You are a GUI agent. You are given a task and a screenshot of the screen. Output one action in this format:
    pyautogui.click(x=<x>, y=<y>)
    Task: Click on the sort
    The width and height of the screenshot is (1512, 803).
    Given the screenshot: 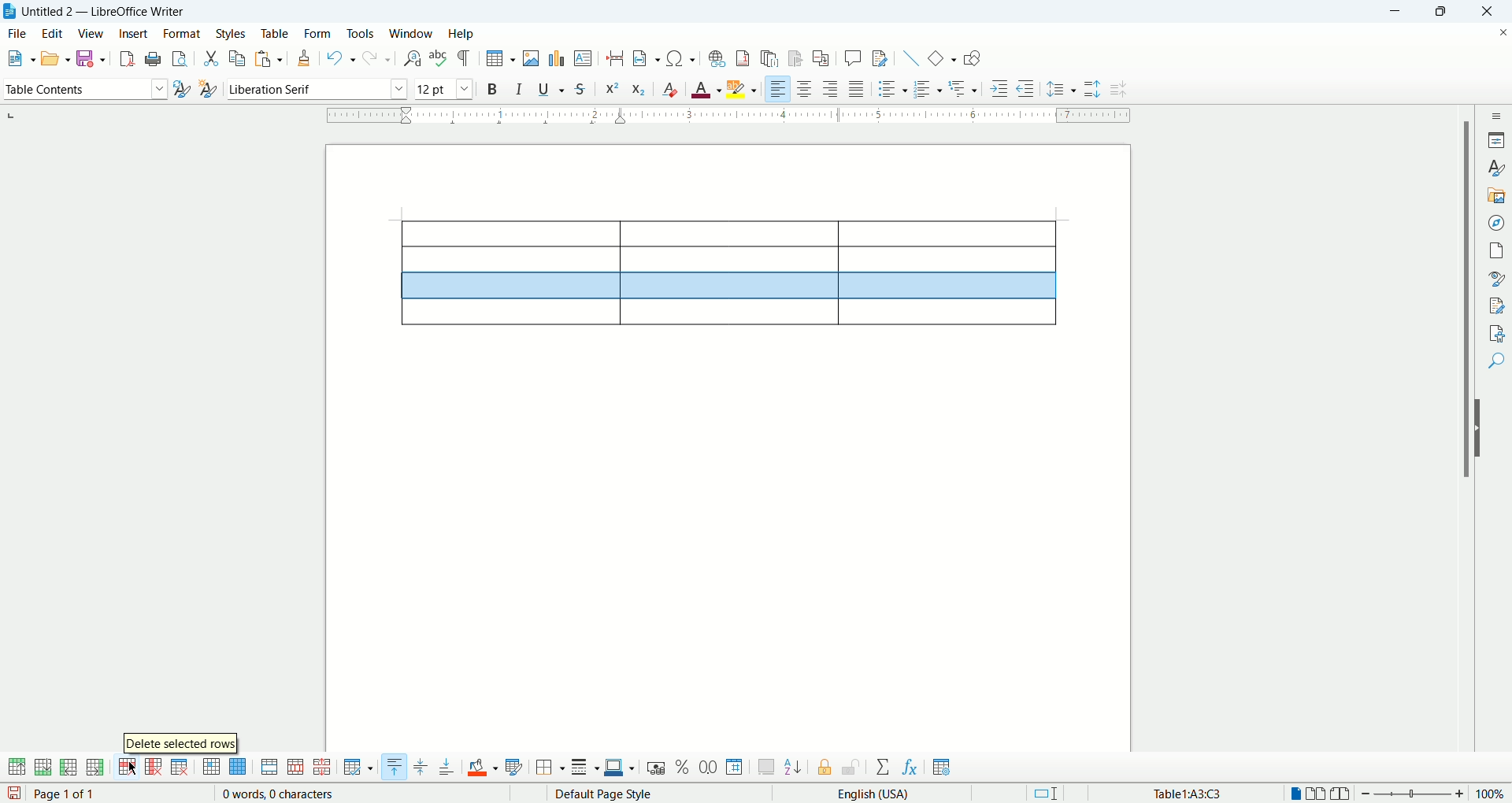 What is the action you would take?
    pyautogui.click(x=791, y=769)
    